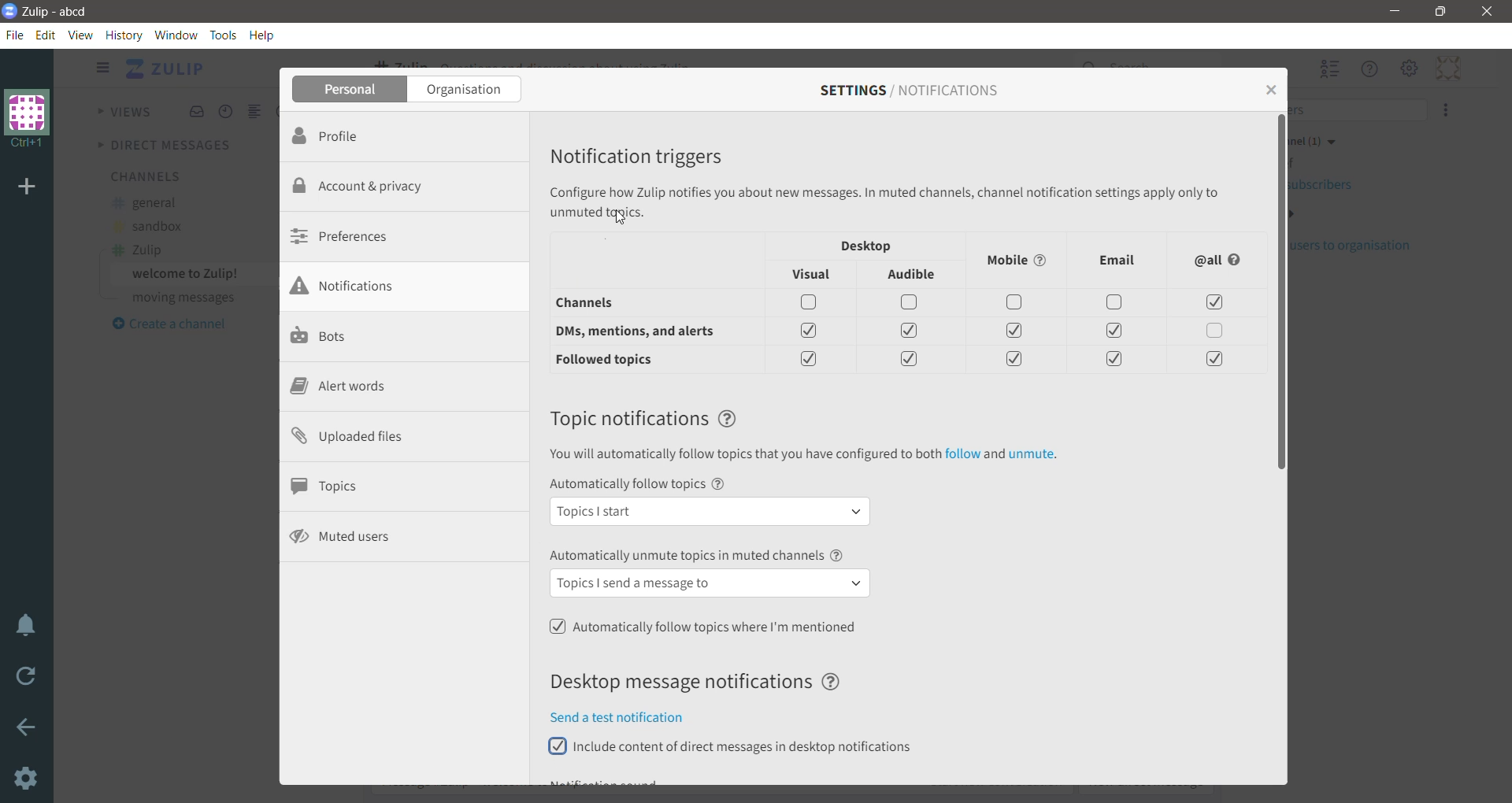  What do you see at coordinates (124, 35) in the screenshot?
I see `History` at bounding box center [124, 35].